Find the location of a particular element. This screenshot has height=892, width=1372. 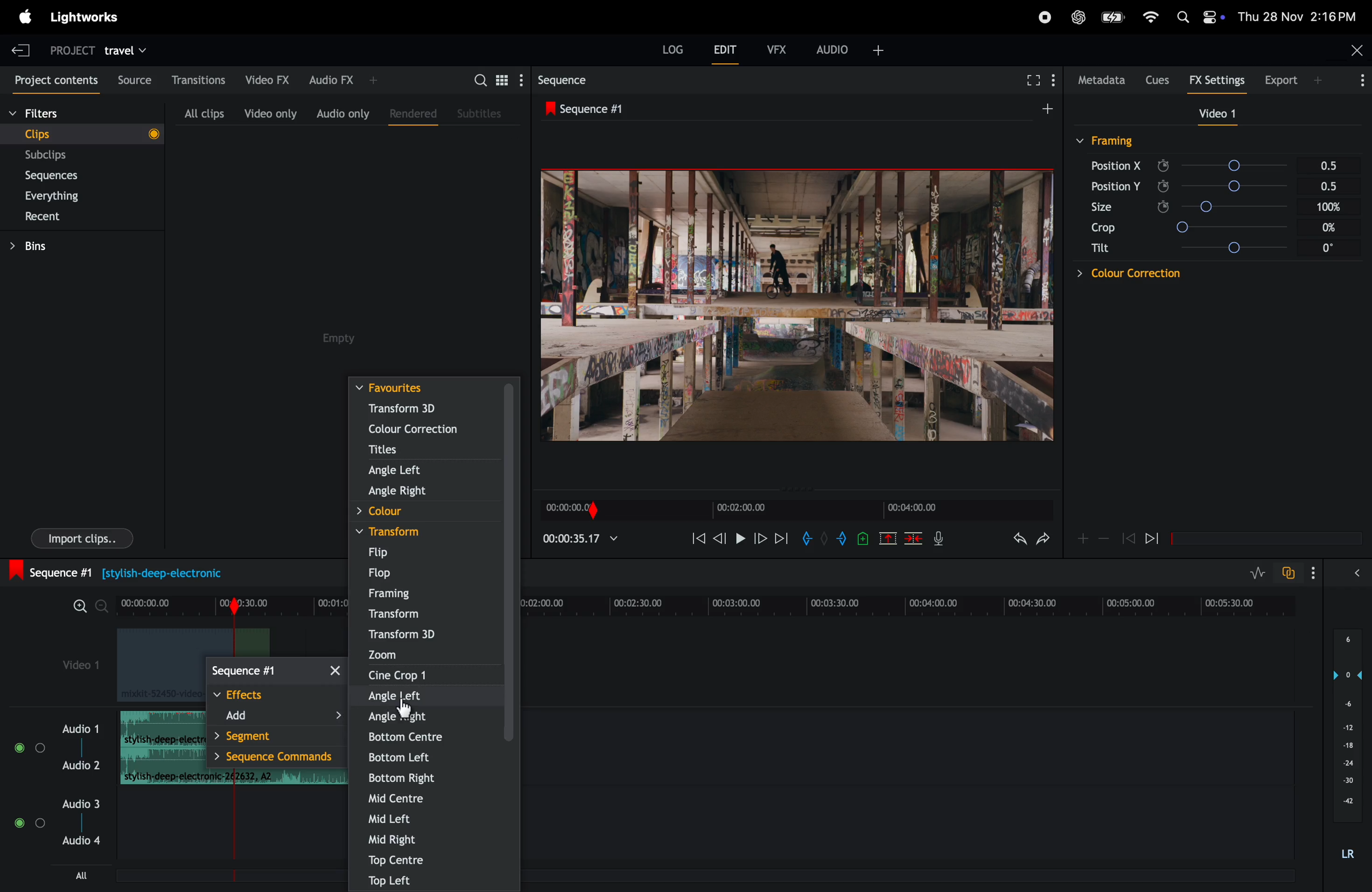

crop is located at coordinates (1101, 229).